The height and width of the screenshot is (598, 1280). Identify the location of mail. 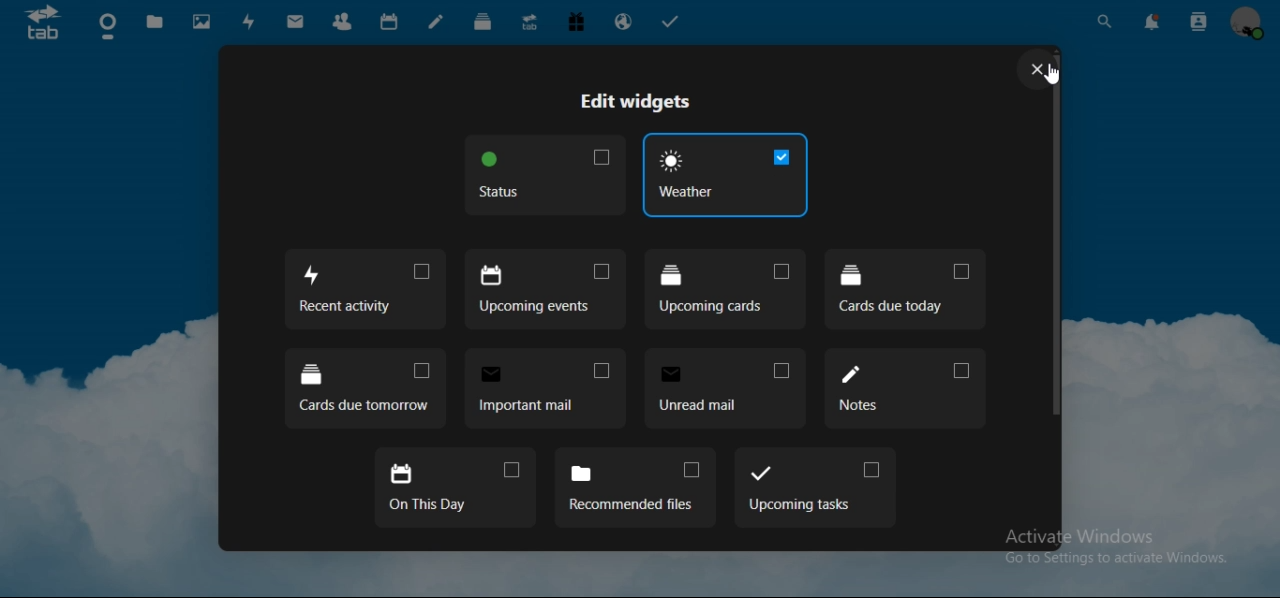
(296, 21).